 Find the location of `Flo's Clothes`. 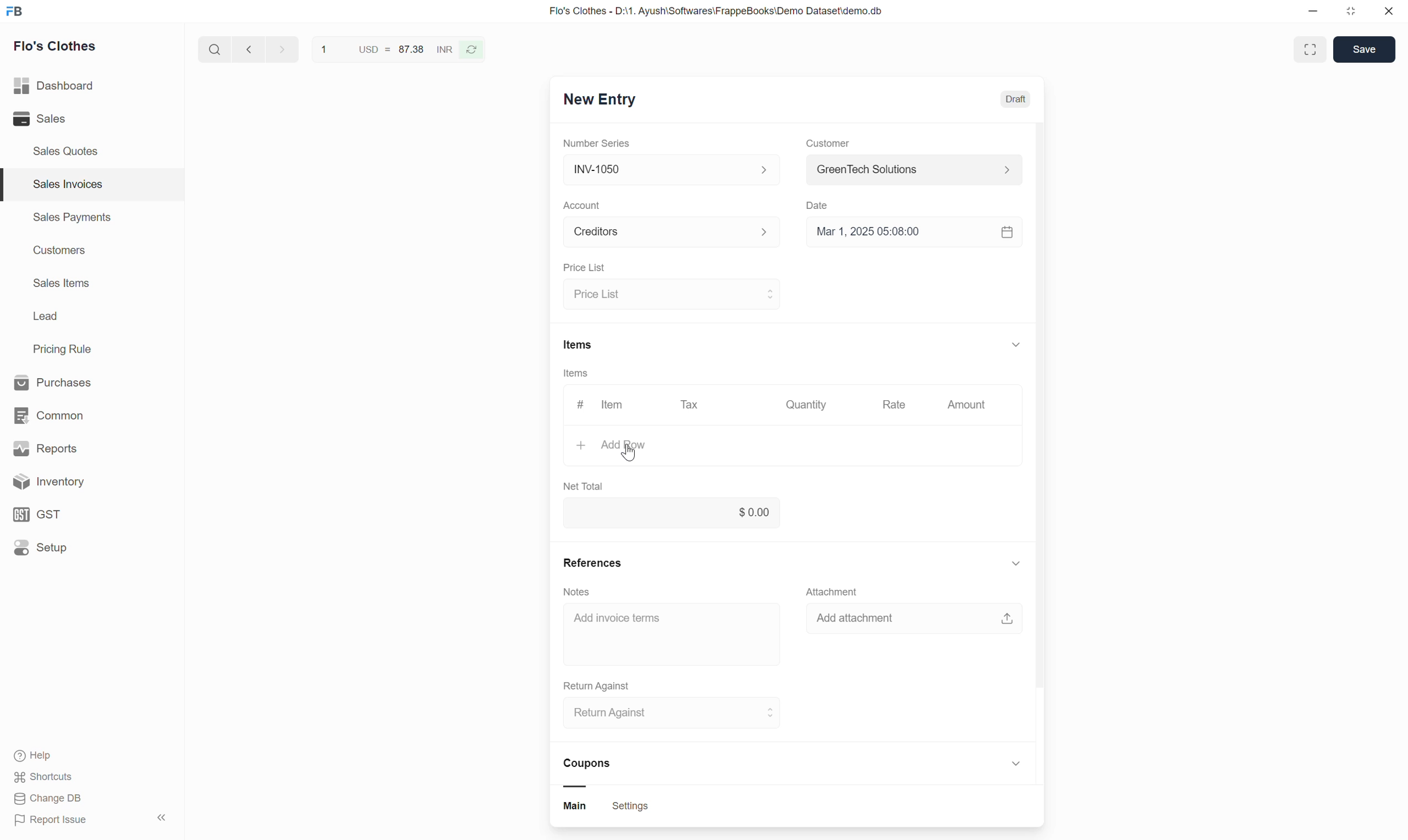

Flo's Clothes is located at coordinates (61, 48).